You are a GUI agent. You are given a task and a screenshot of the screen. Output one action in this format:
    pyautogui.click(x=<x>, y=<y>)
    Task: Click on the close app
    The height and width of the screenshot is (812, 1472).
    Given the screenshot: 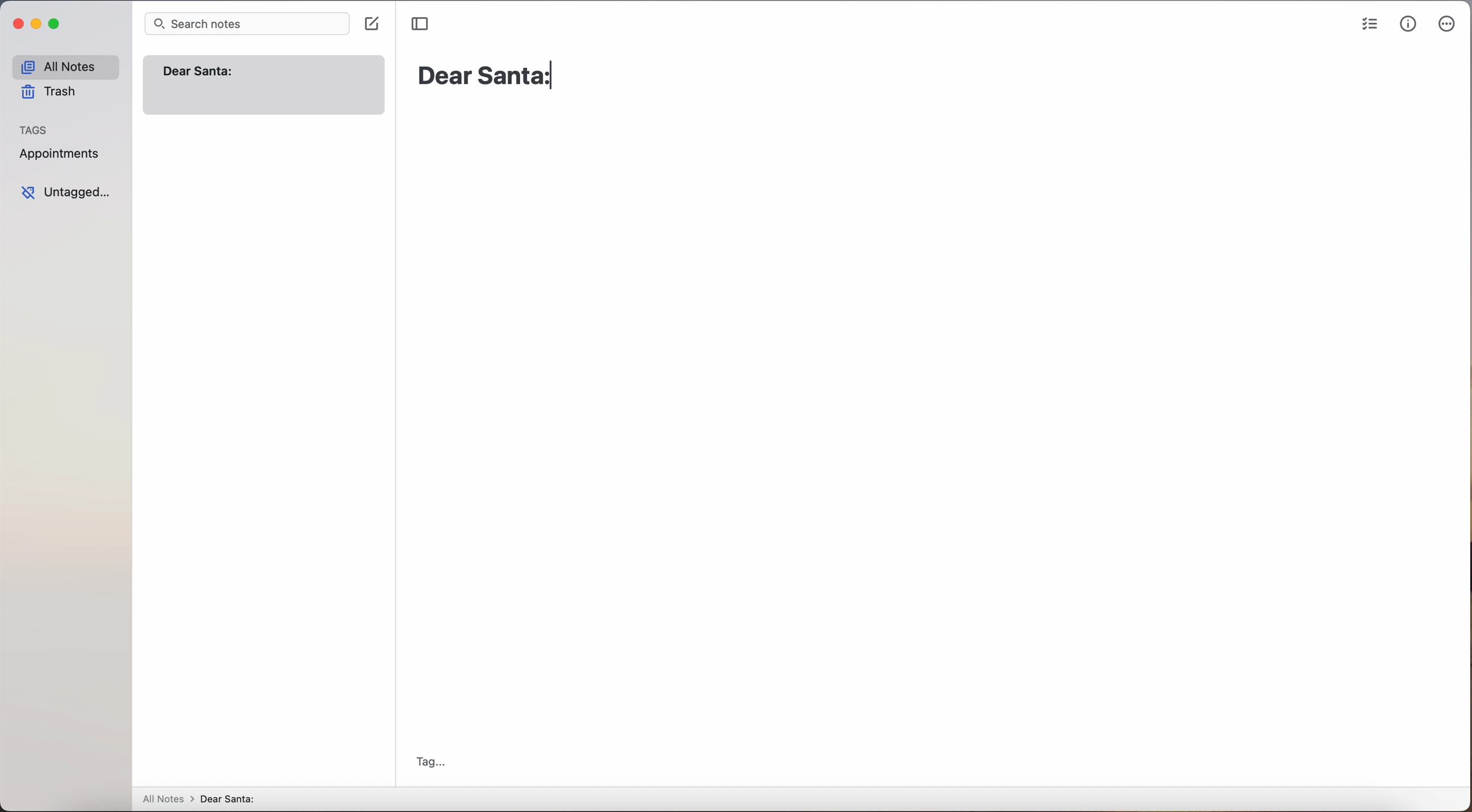 What is the action you would take?
    pyautogui.click(x=17, y=26)
    